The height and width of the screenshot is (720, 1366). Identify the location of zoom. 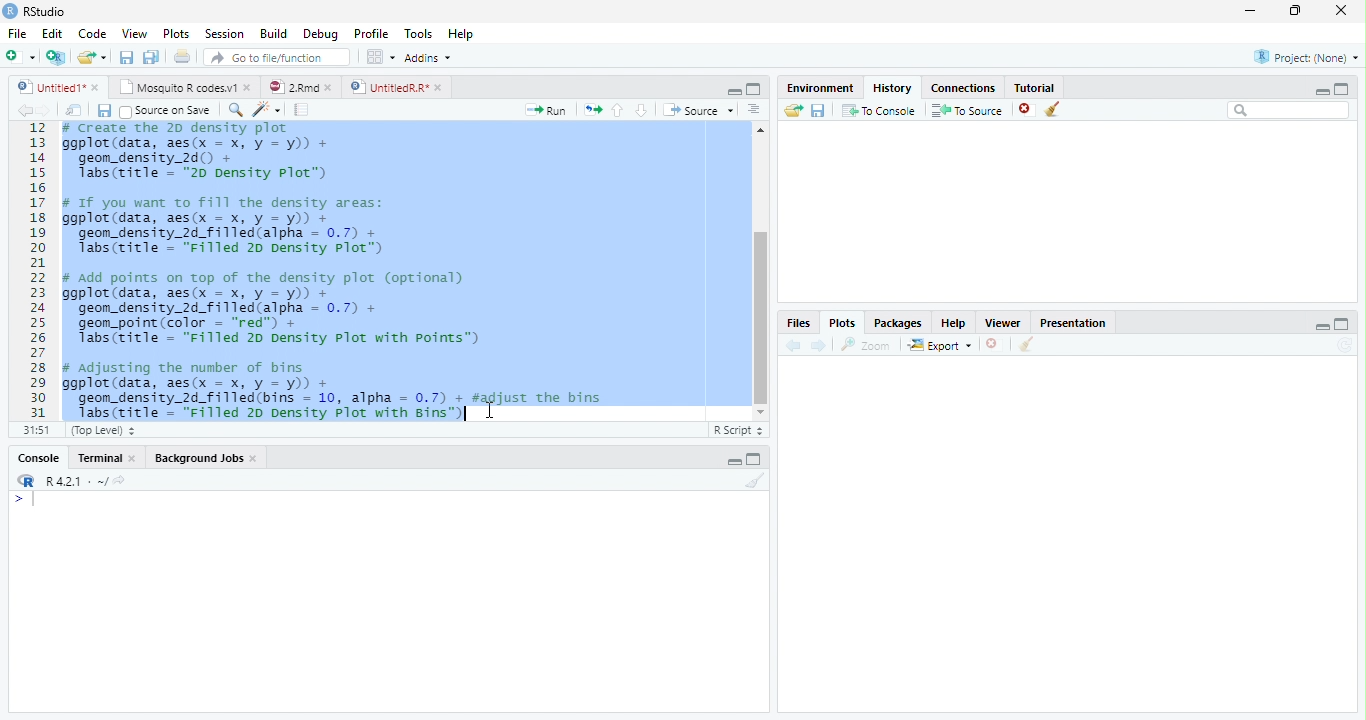
(869, 346).